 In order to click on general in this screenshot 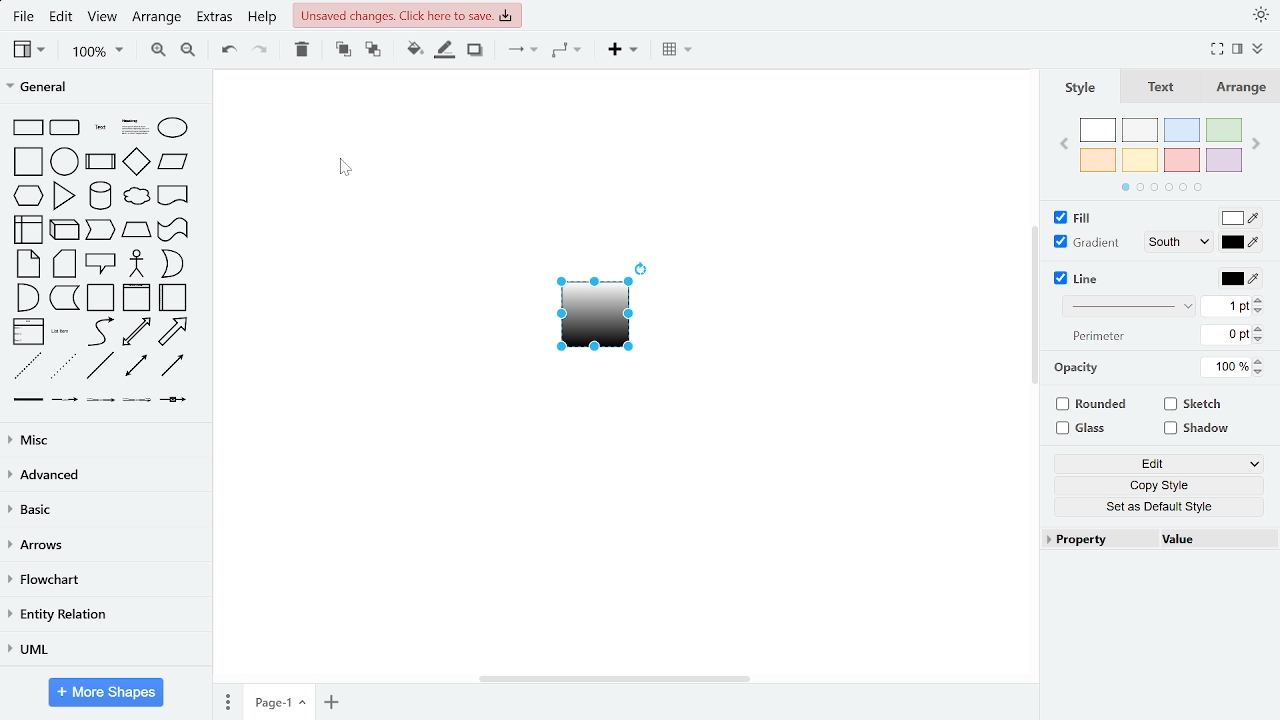, I will do `click(102, 86)`.